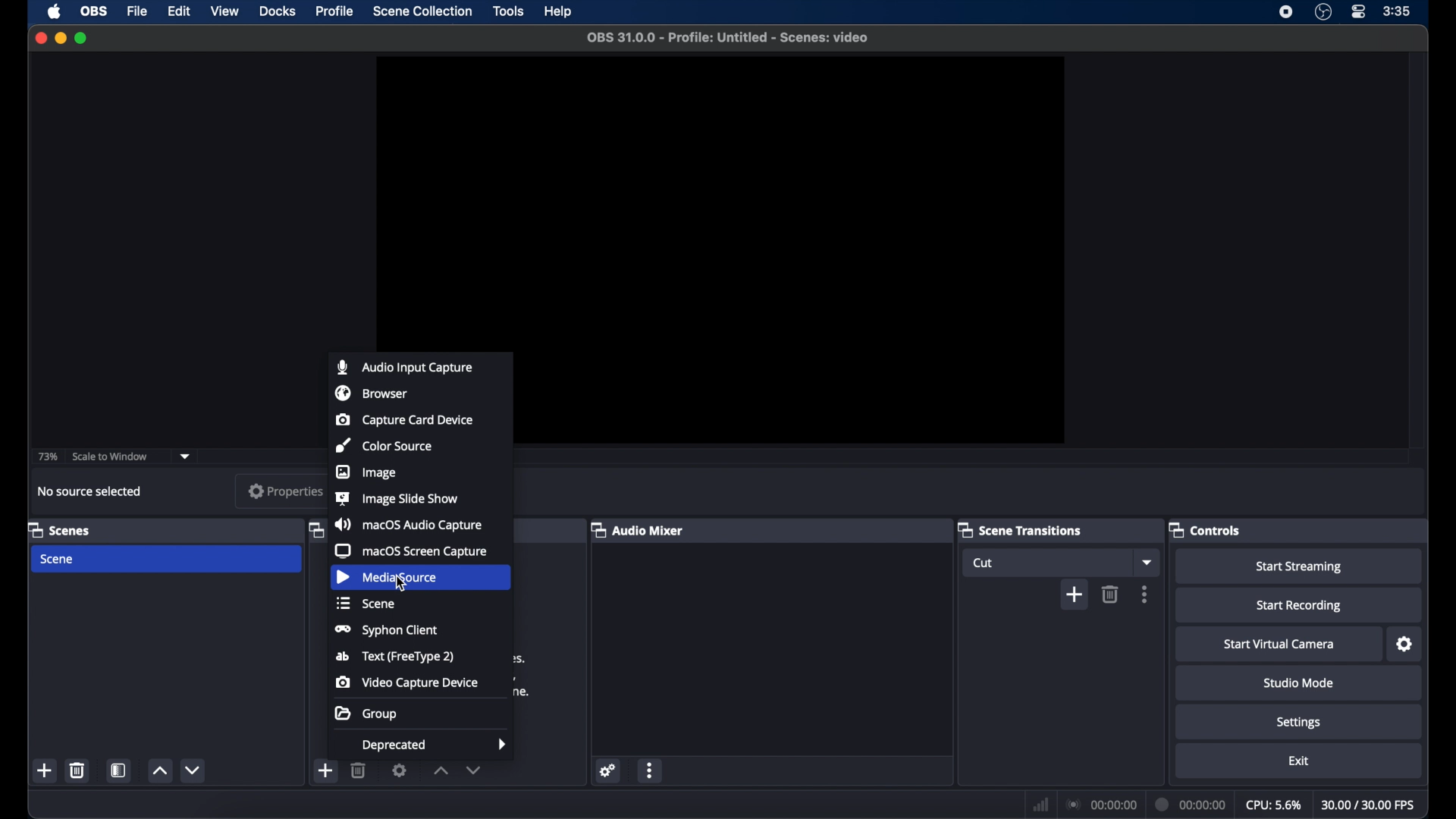 The image size is (1456, 819). Describe the element at coordinates (397, 657) in the screenshot. I see `text` at that location.